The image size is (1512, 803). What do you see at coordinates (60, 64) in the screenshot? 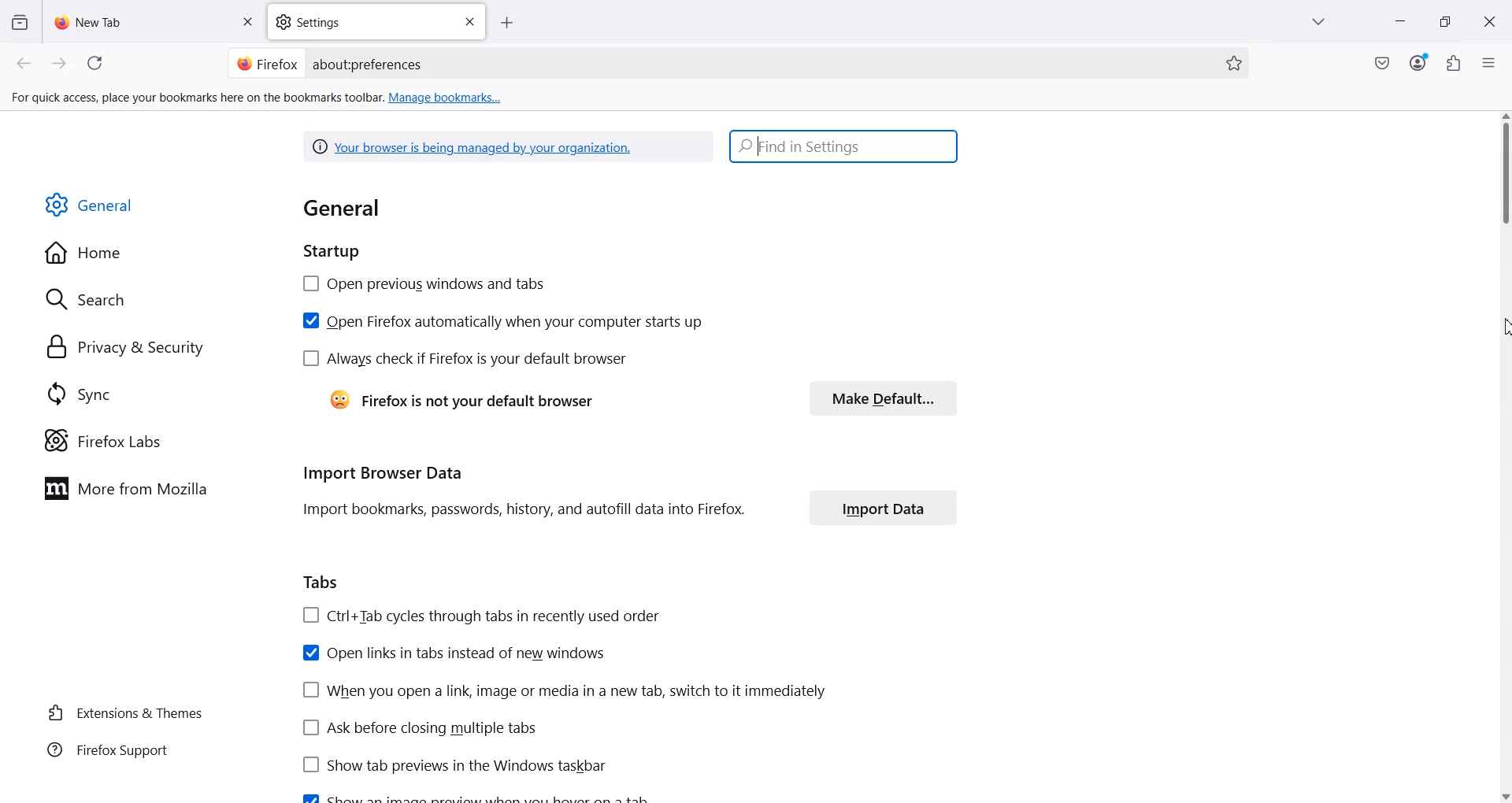
I see `Forward` at bounding box center [60, 64].